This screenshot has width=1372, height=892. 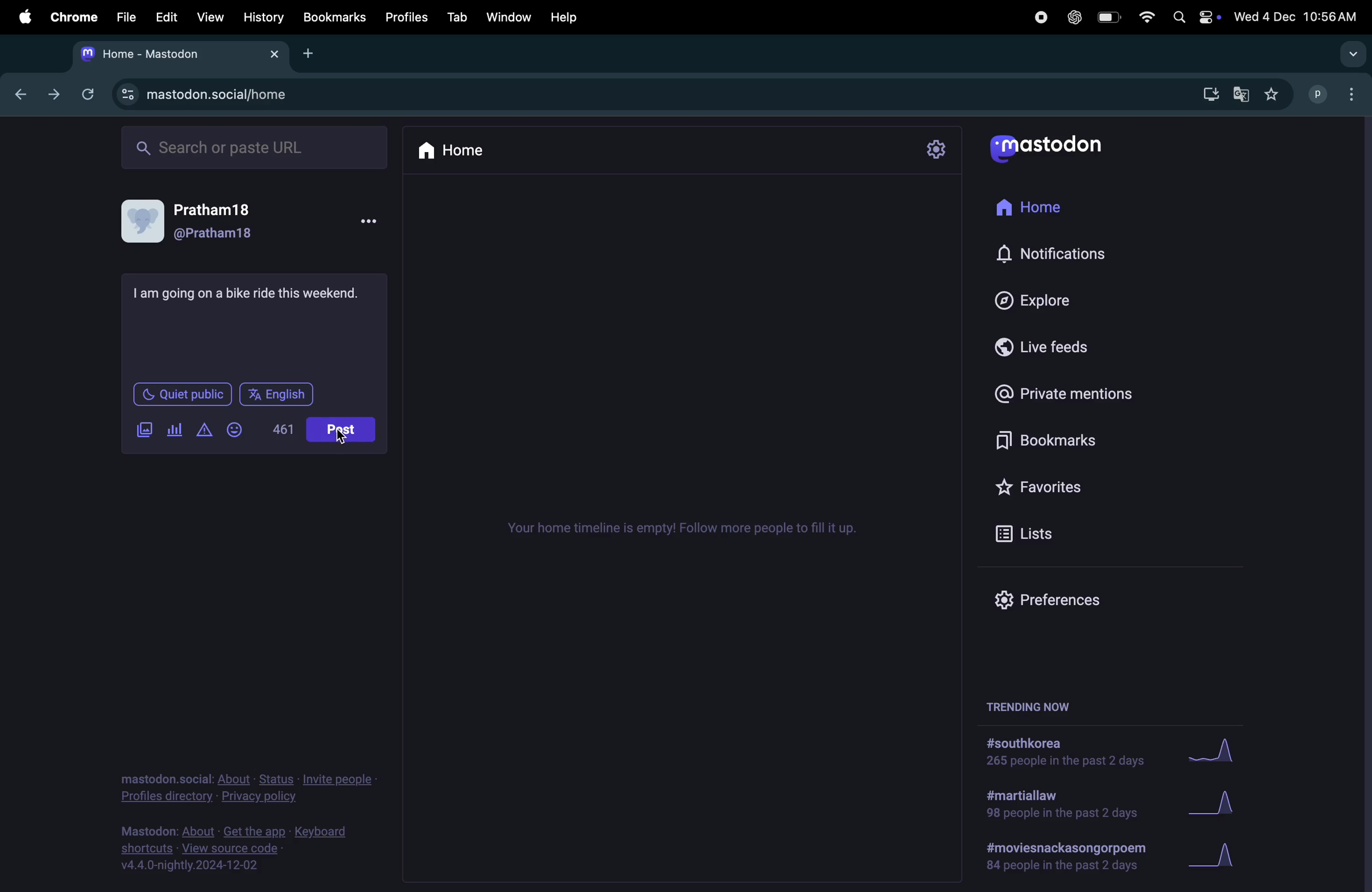 What do you see at coordinates (248, 851) in the screenshot?
I see `view source code` at bounding box center [248, 851].